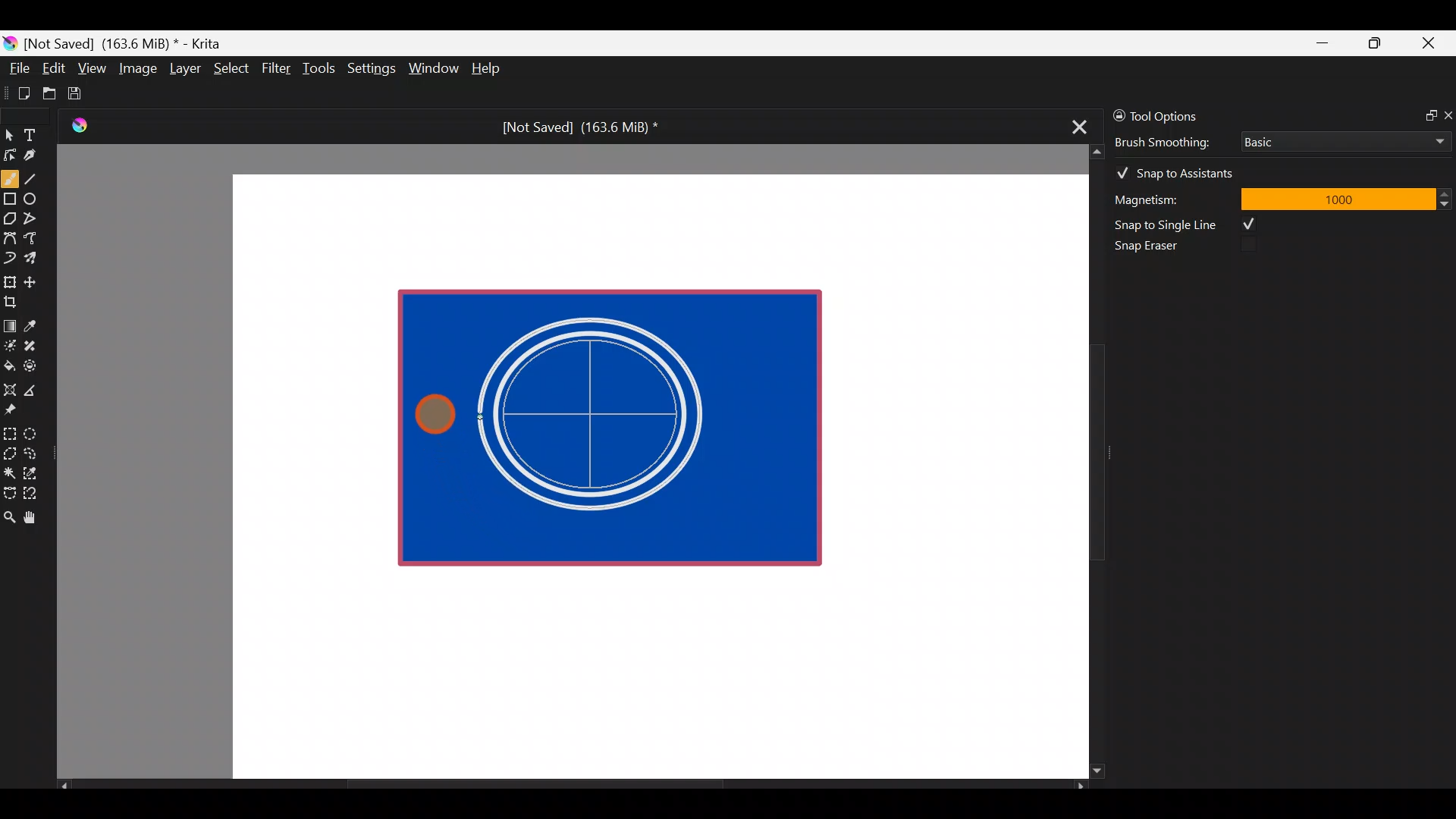  Describe the element at coordinates (1178, 116) in the screenshot. I see `Tool options` at that location.